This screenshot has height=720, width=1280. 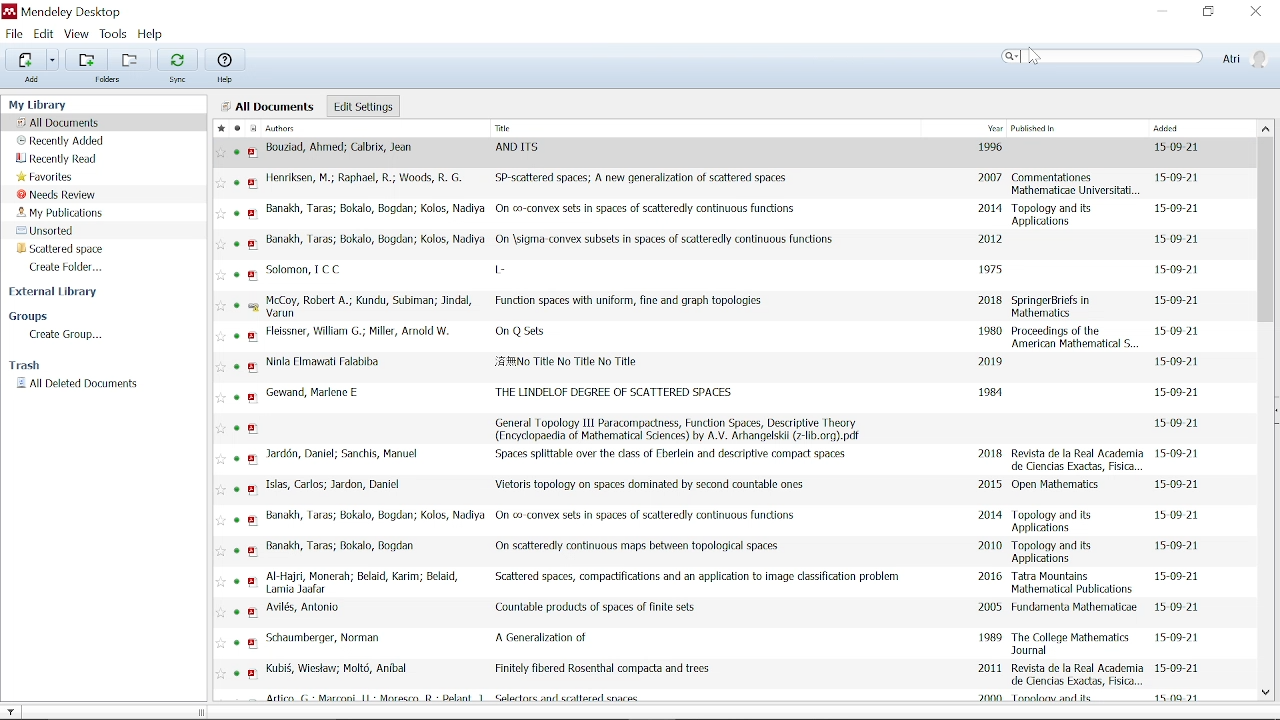 What do you see at coordinates (1266, 230) in the screenshot?
I see `Vertical scrollbar for all files` at bounding box center [1266, 230].